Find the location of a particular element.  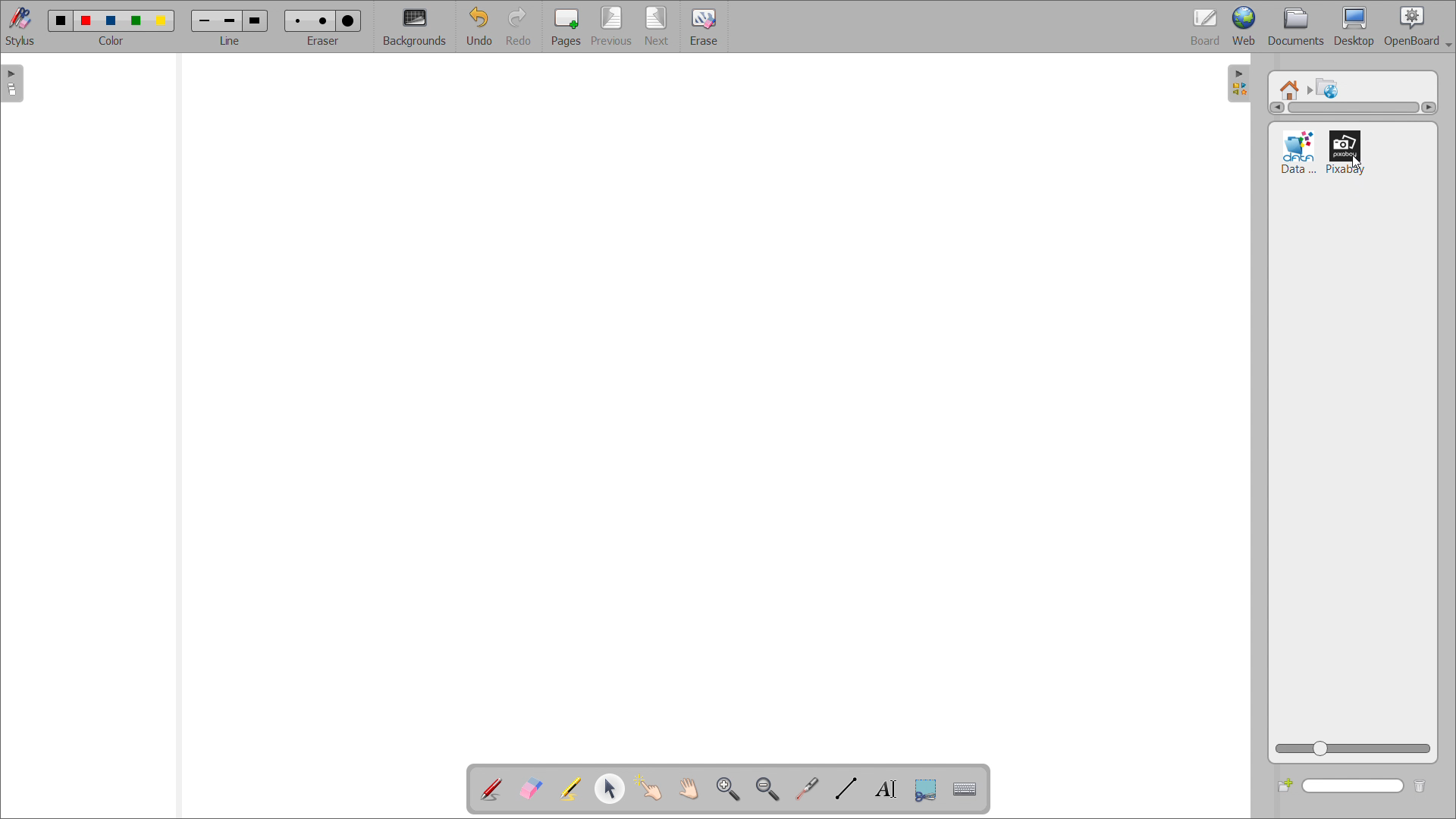

redo is located at coordinates (521, 27).